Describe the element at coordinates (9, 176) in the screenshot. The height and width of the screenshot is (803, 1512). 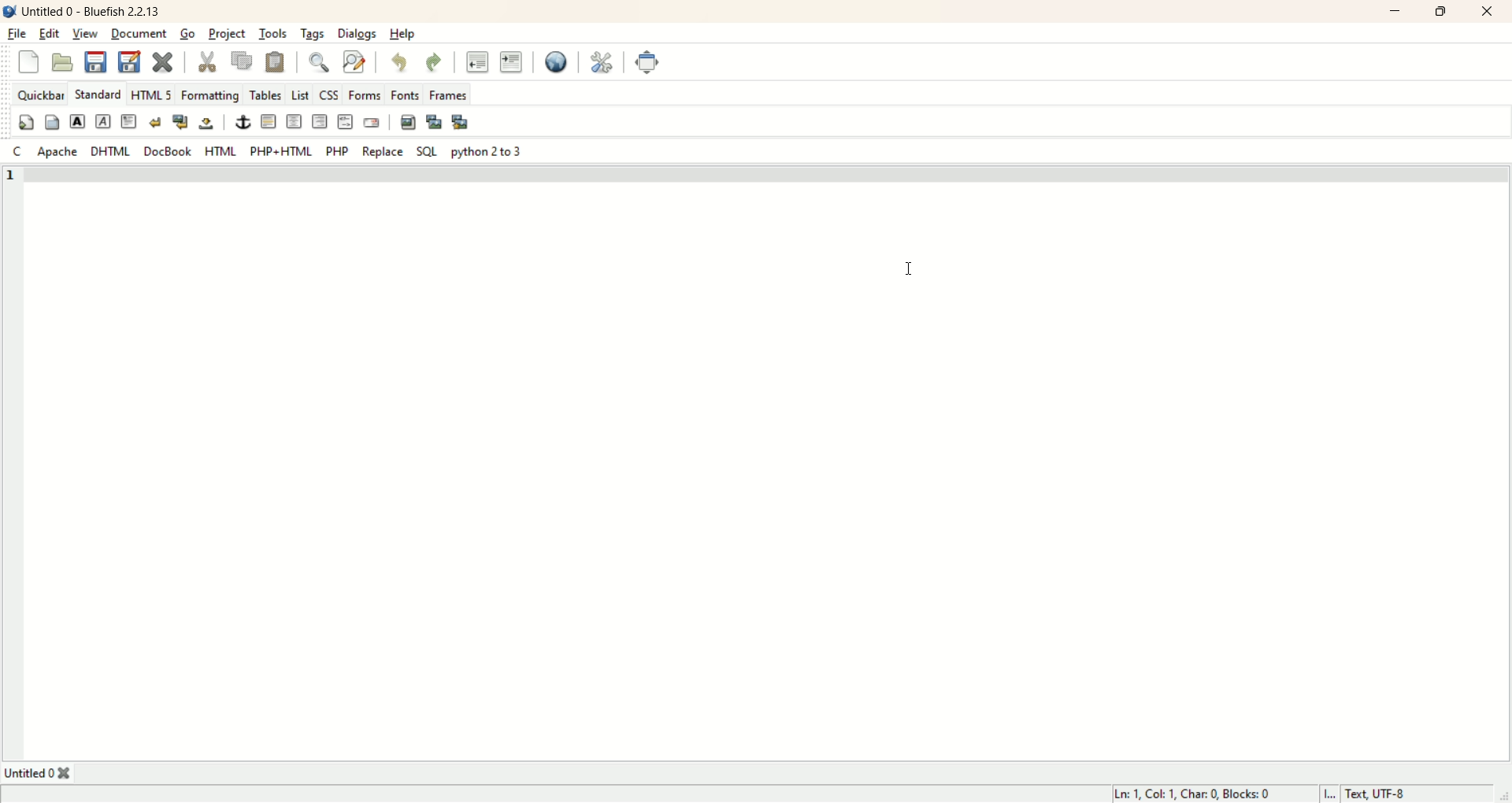
I see `1` at that location.